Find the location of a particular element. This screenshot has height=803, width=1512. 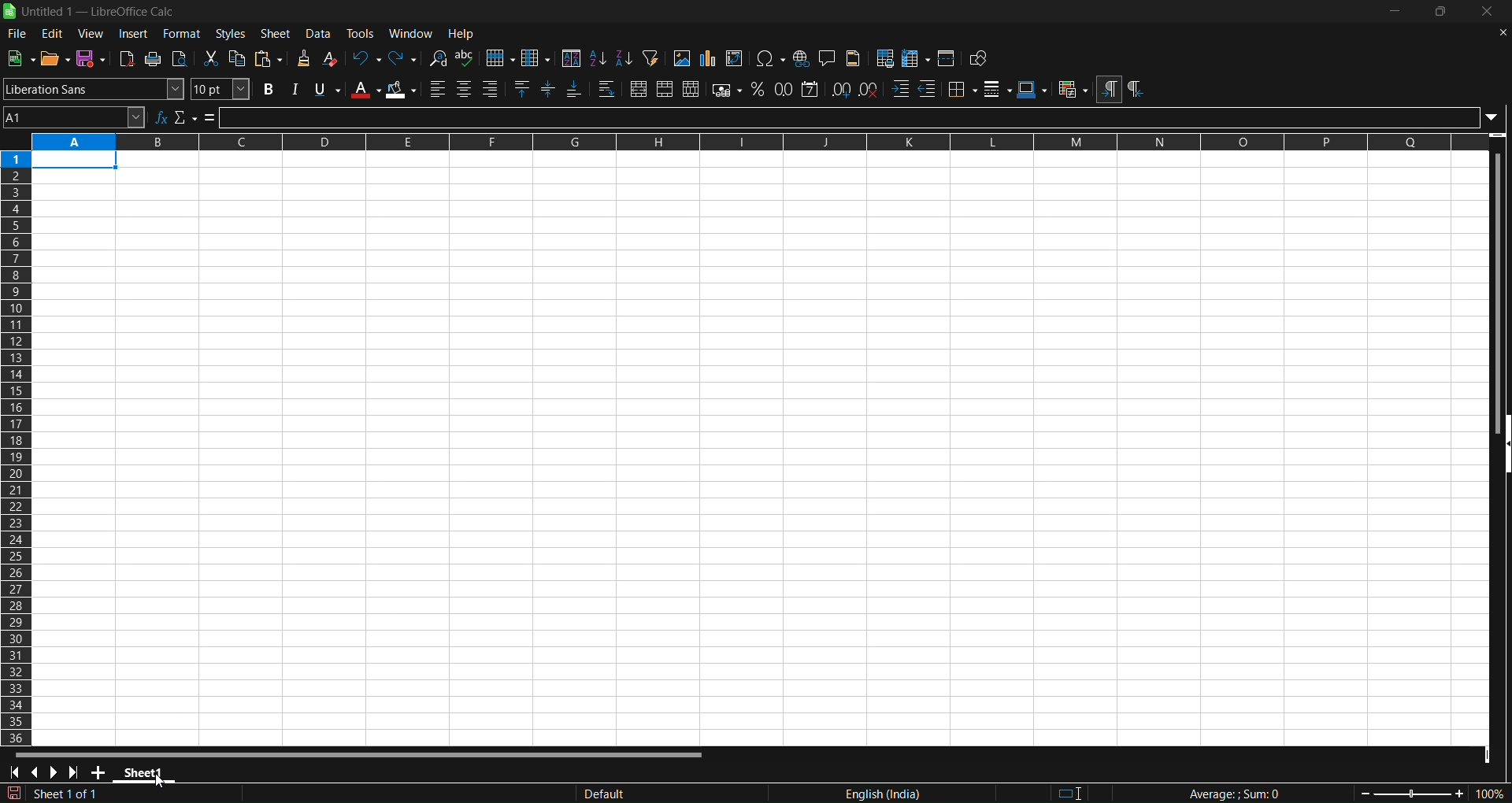

name box is located at coordinates (74, 117).